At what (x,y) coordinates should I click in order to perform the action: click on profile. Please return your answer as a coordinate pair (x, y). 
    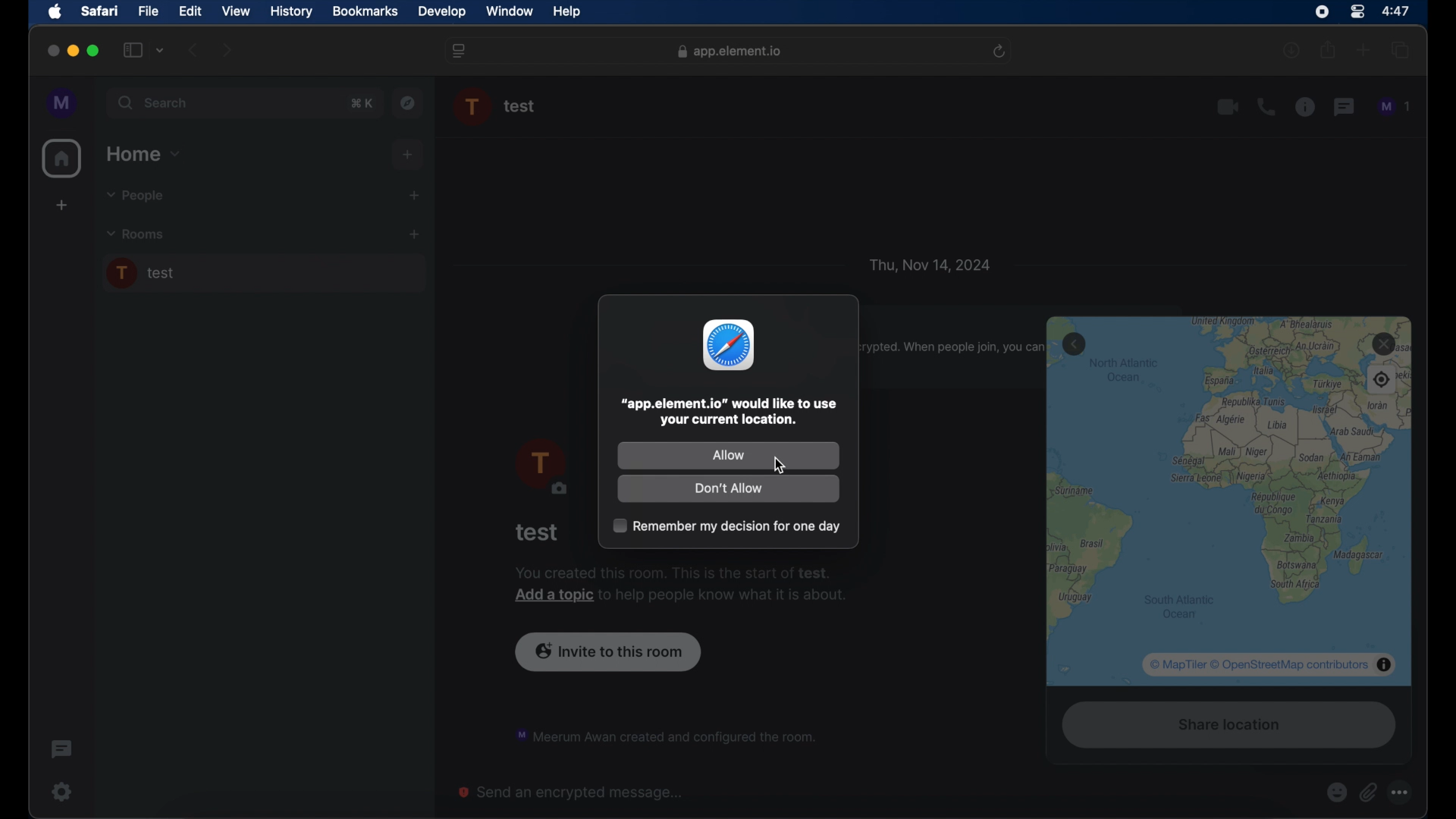
    Looking at the image, I should click on (63, 103).